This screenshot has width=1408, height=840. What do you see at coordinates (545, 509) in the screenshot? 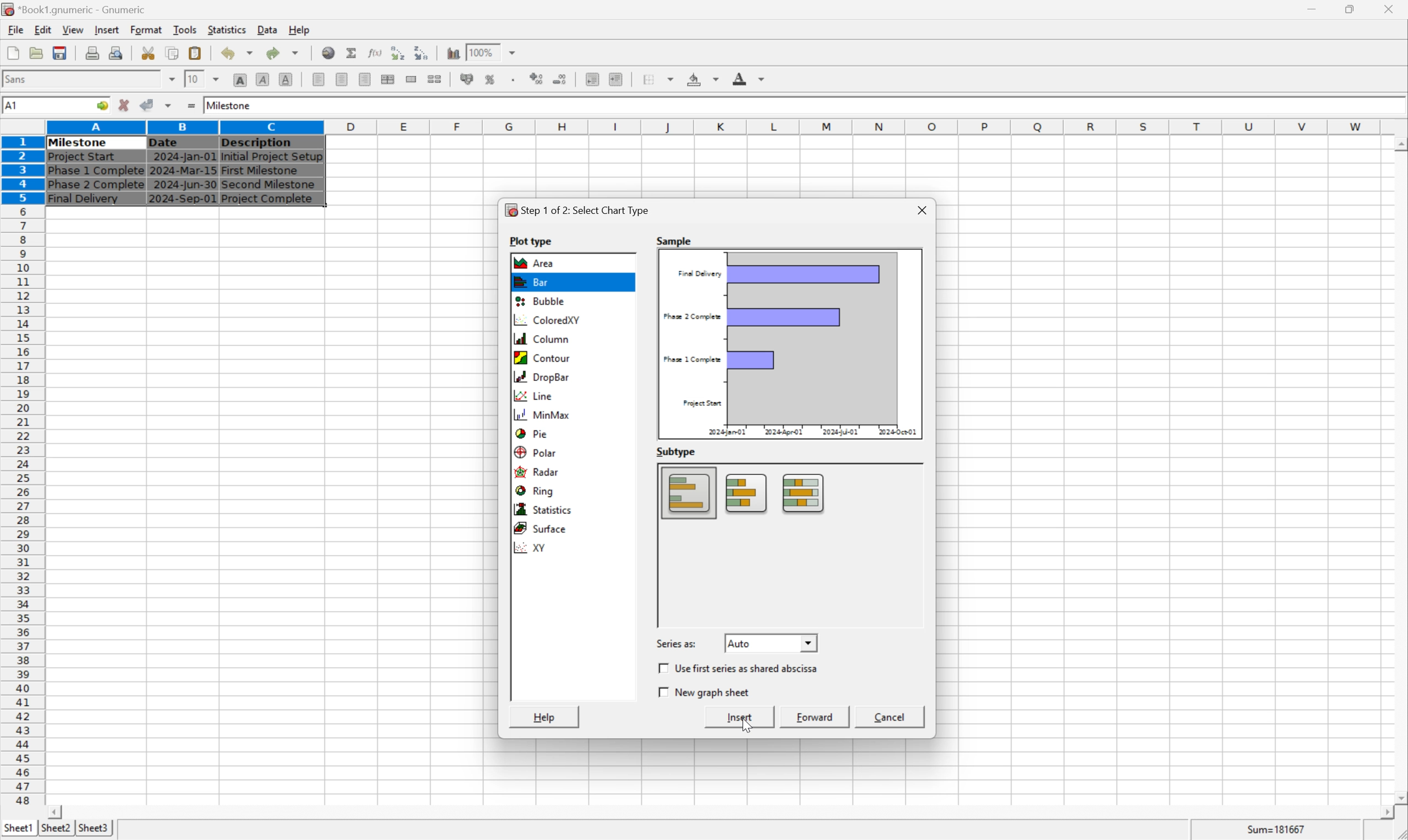
I see `statistics` at bounding box center [545, 509].